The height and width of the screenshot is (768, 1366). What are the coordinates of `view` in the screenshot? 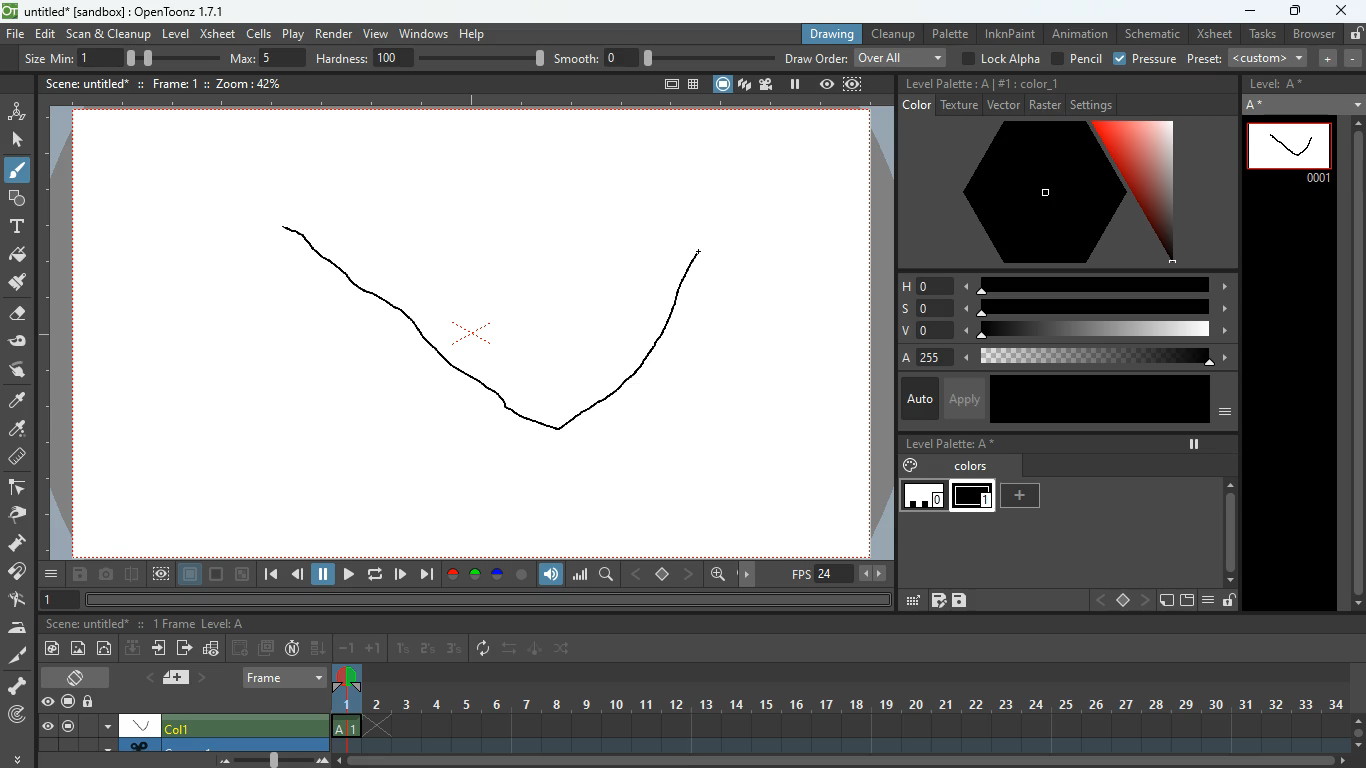 It's located at (827, 84).